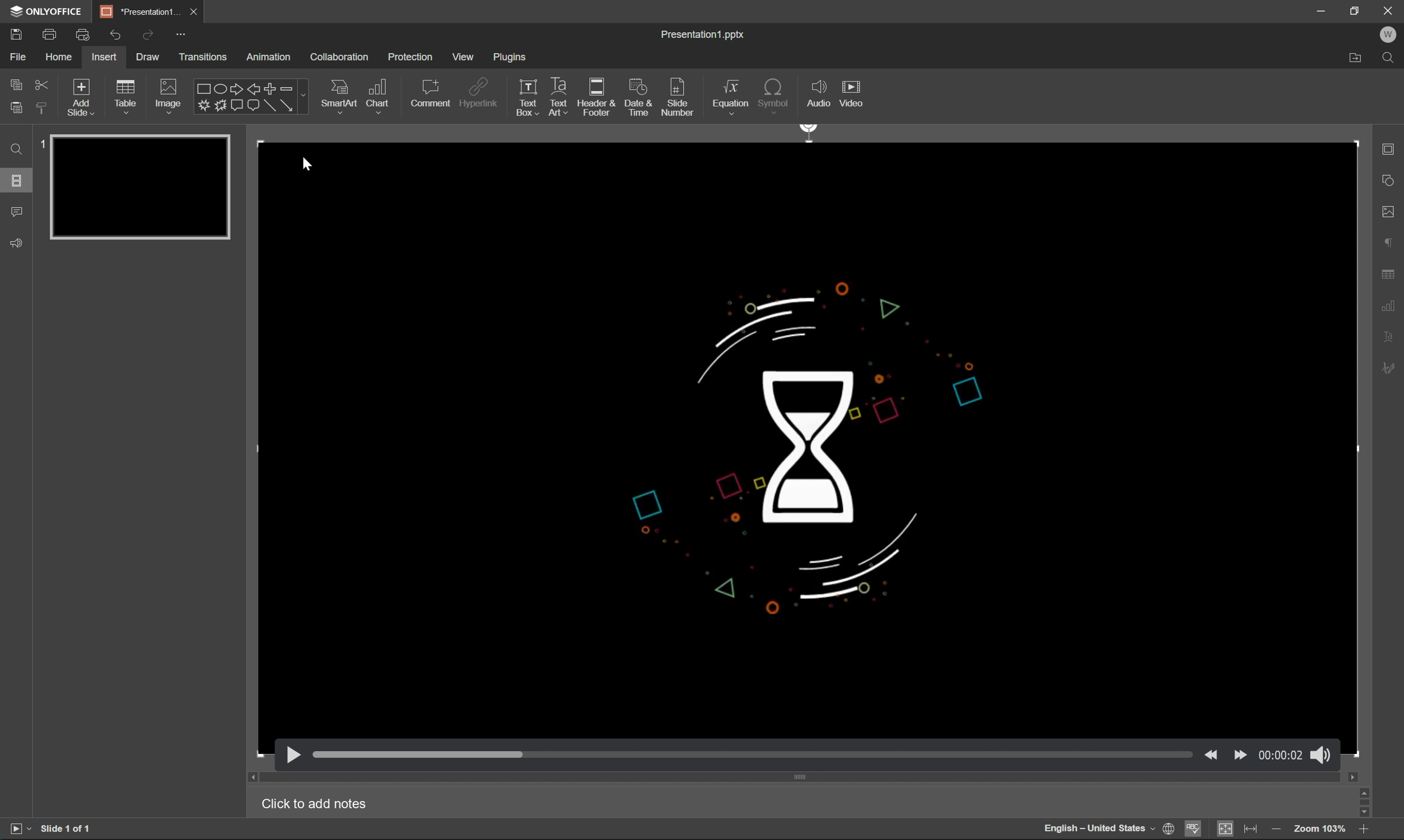 This screenshot has height=840, width=1404. I want to click on set document language, so click(1169, 828).